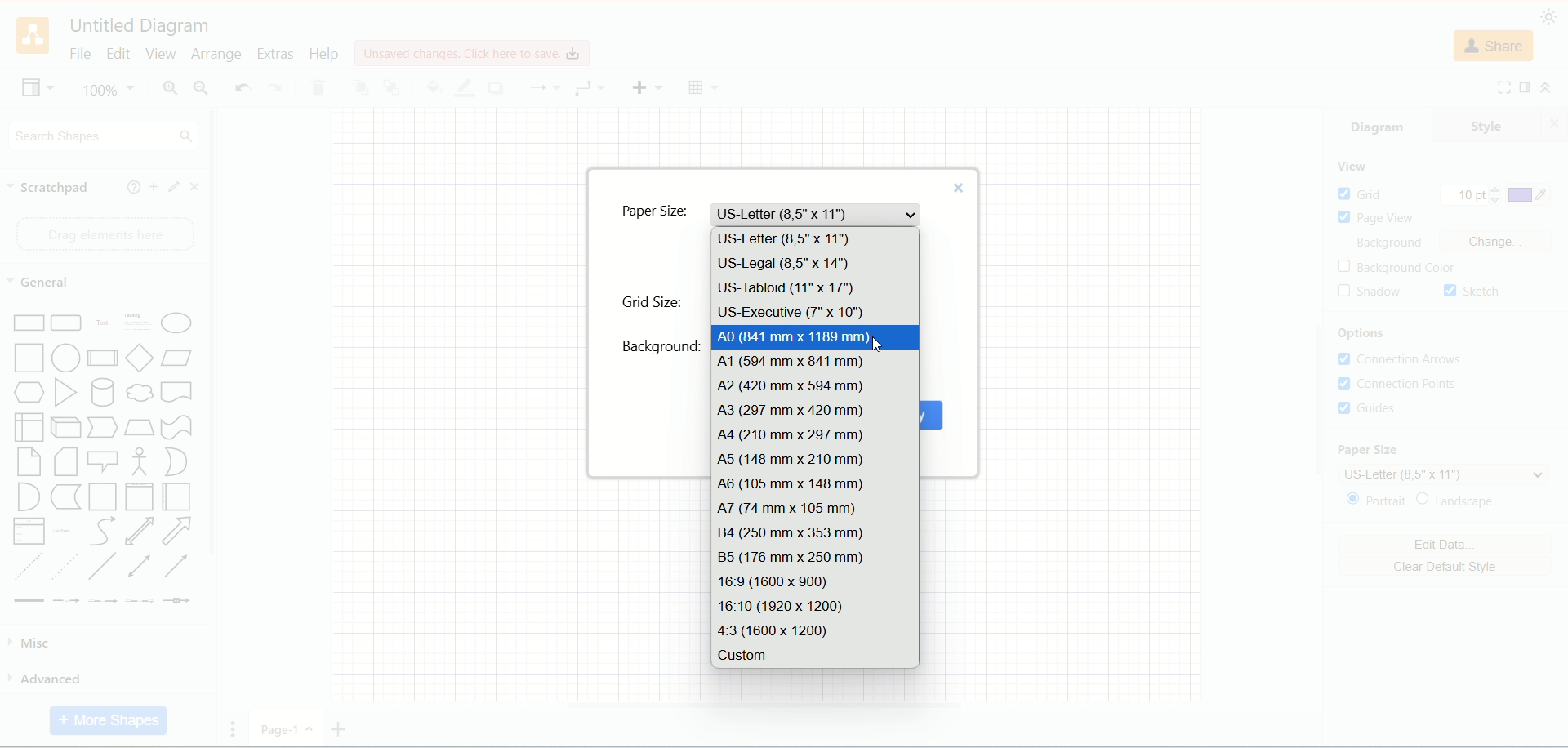 The height and width of the screenshot is (748, 1568). I want to click on 100%, so click(107, 89).